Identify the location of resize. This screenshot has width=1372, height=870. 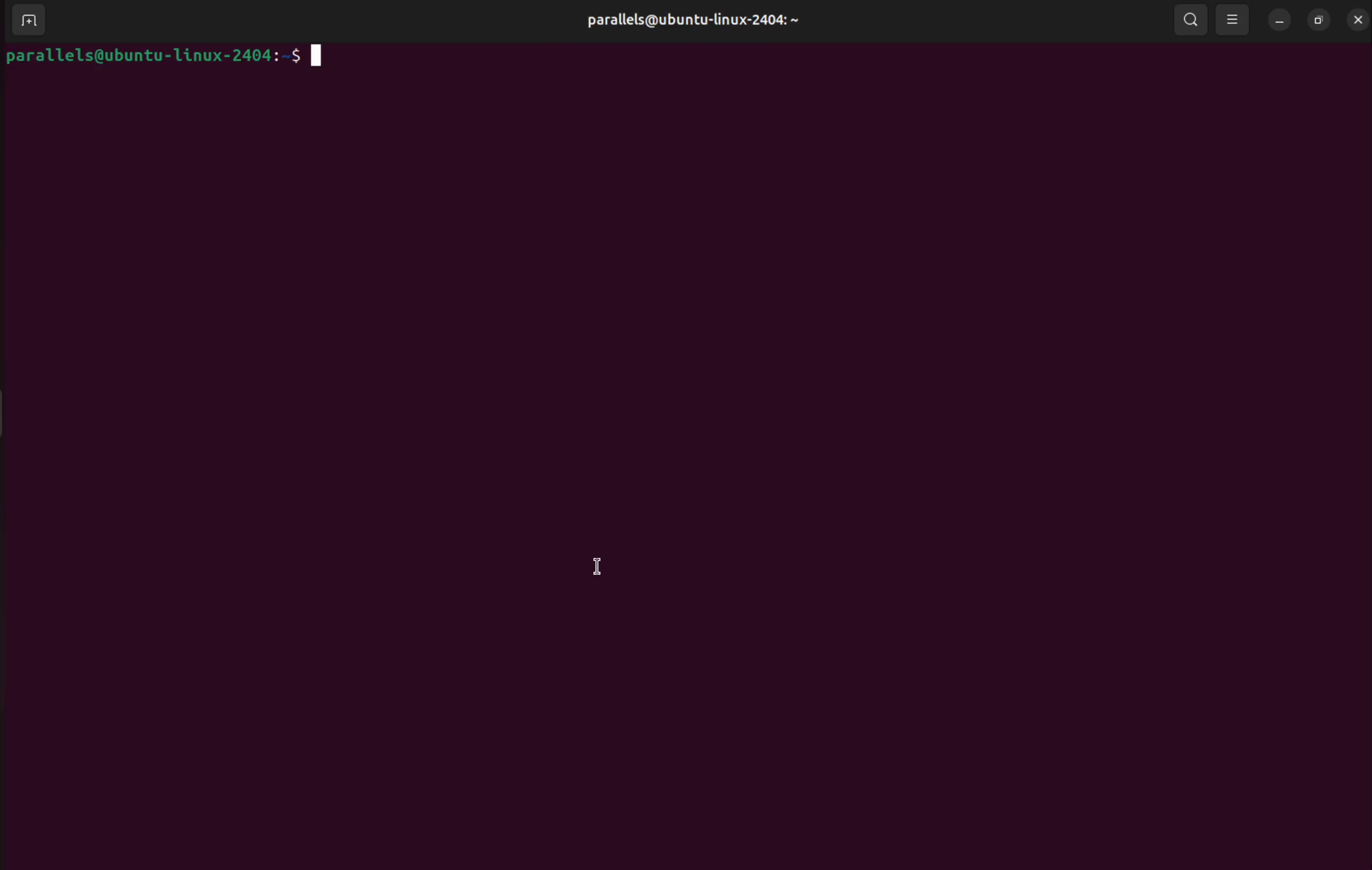
(1317, 21).